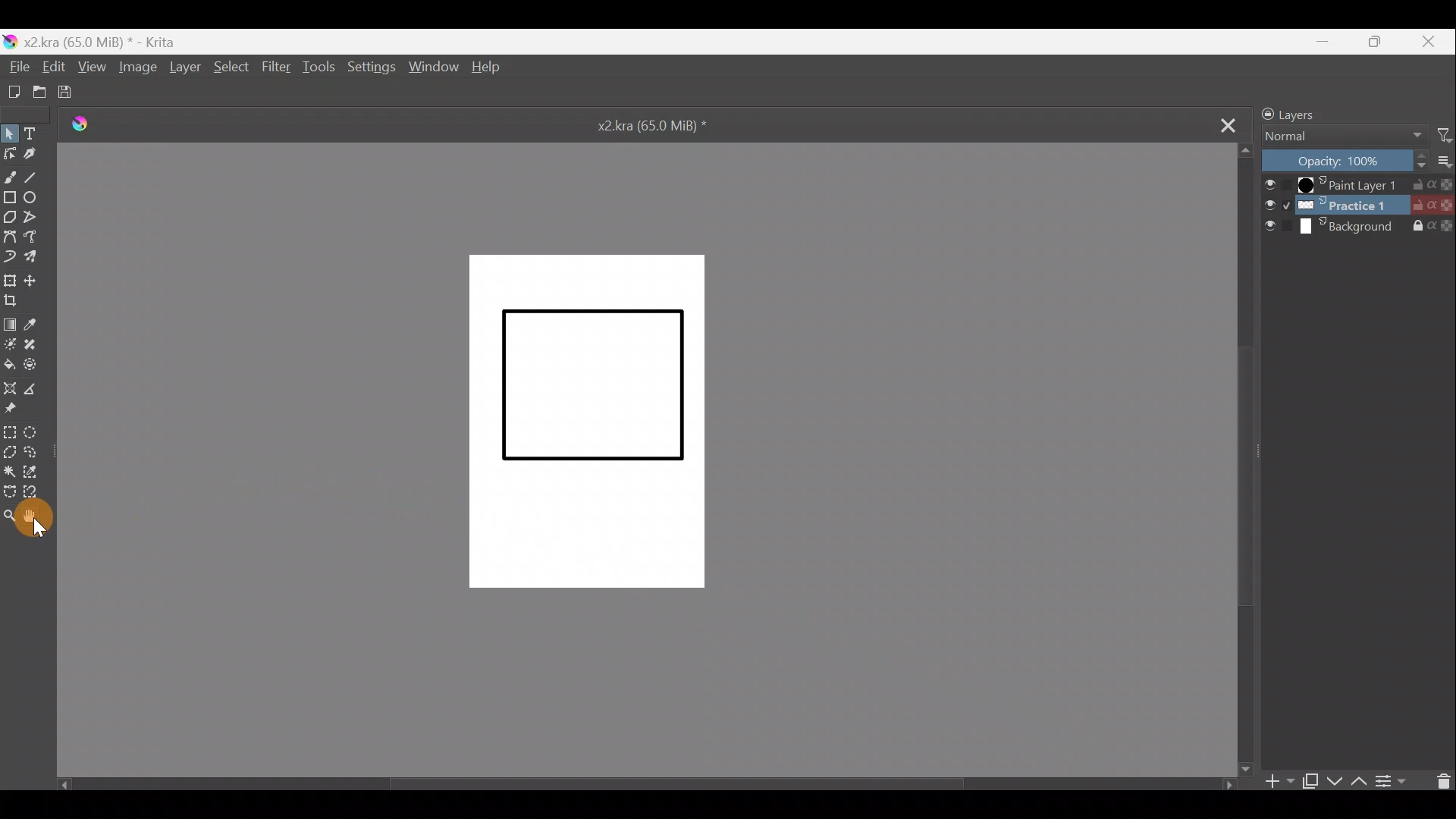  I want to click on File, so click(17, 67).